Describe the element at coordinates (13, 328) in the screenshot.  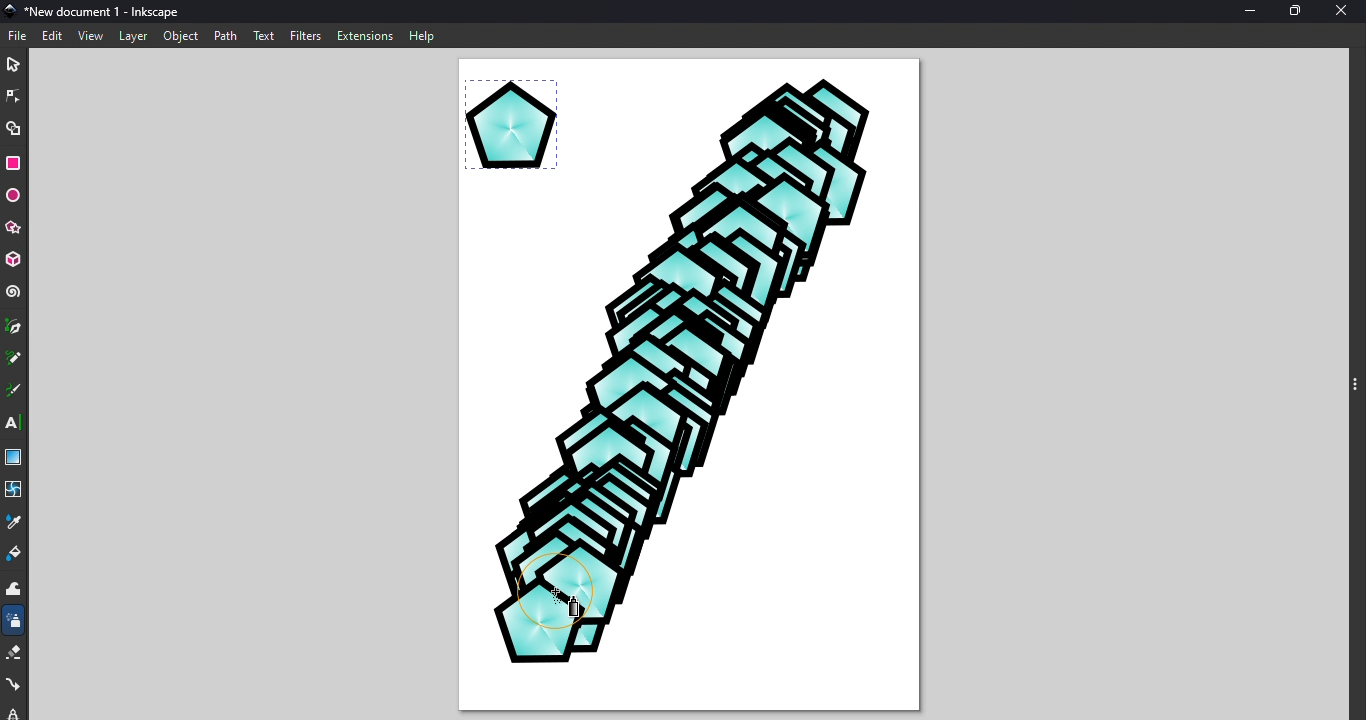
I see `Pen tool` at that location.